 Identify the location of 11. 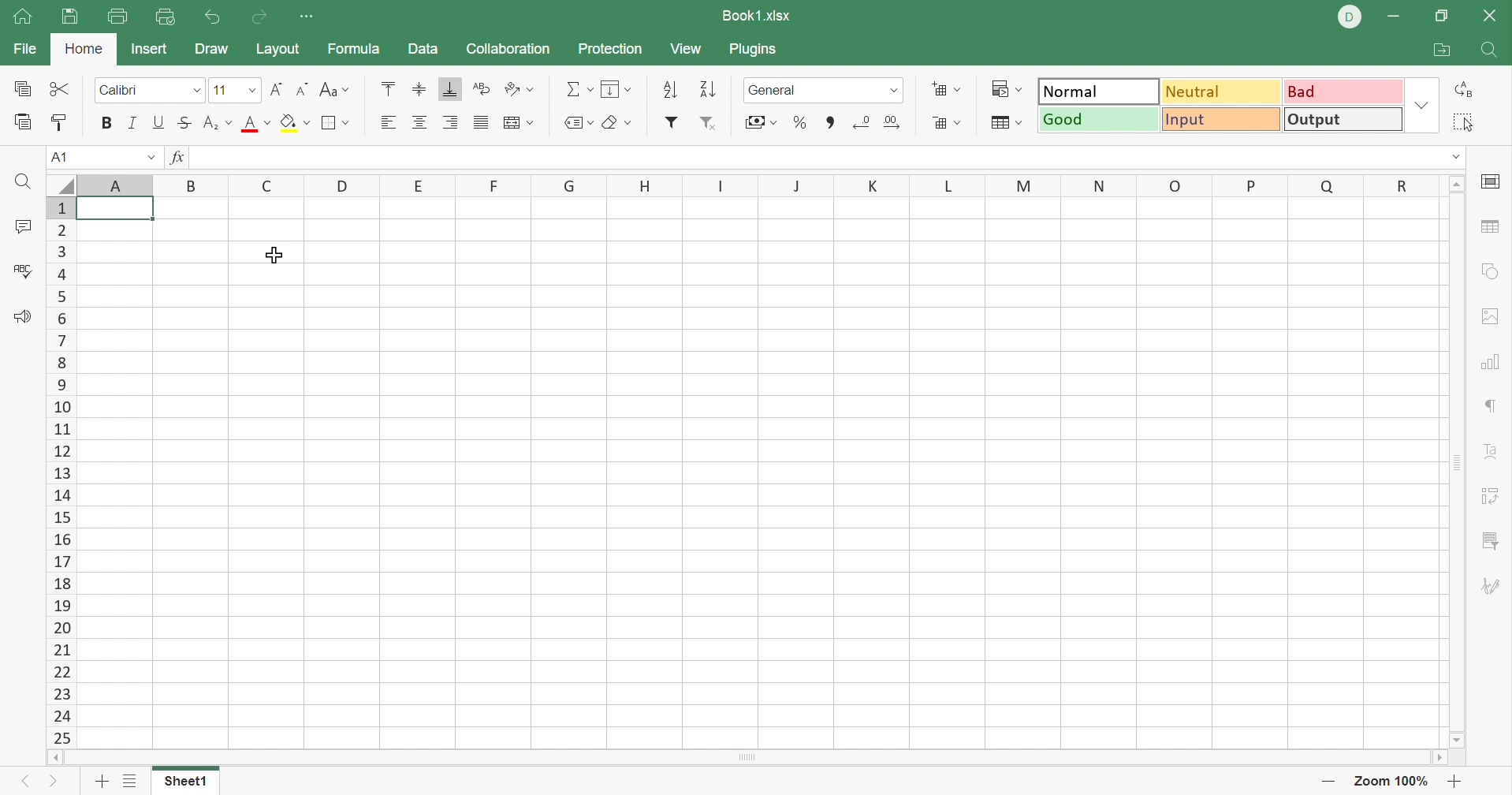
(218, 90).